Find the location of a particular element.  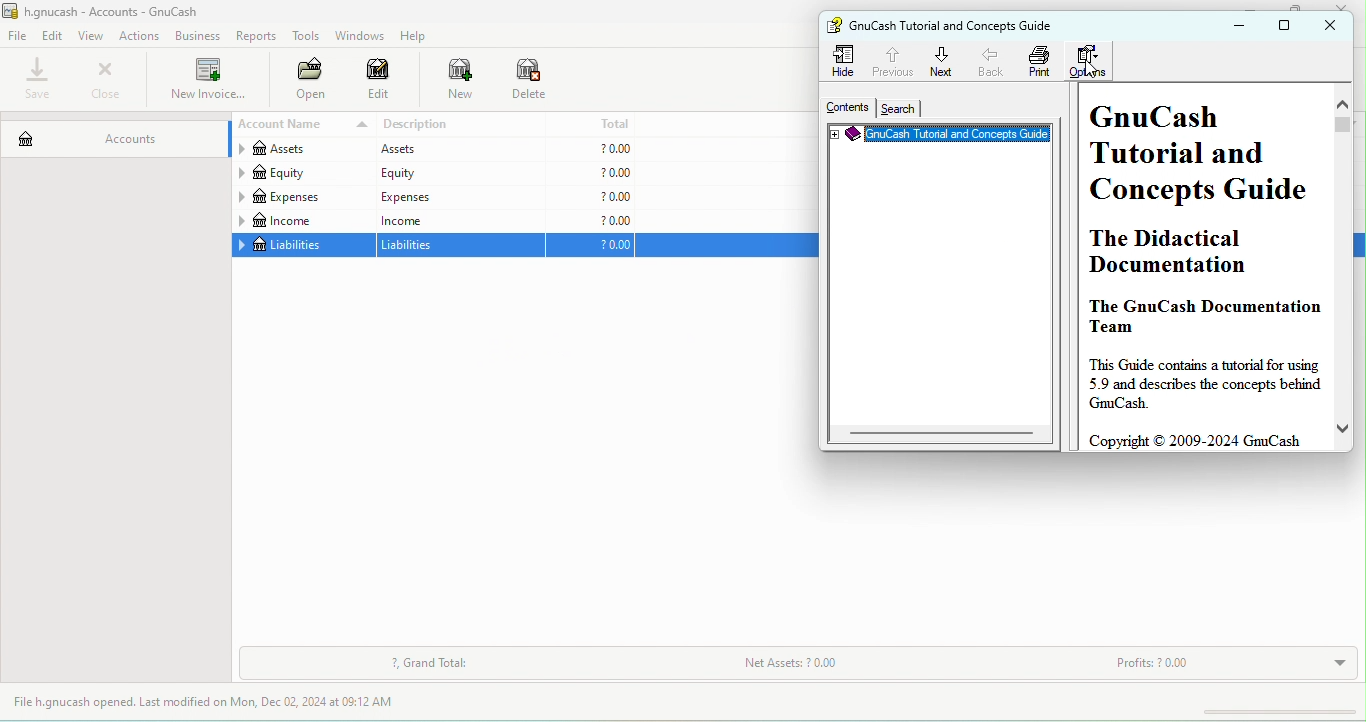

gnu cash tutorial concepts guid is located at coordinates (940, 136).